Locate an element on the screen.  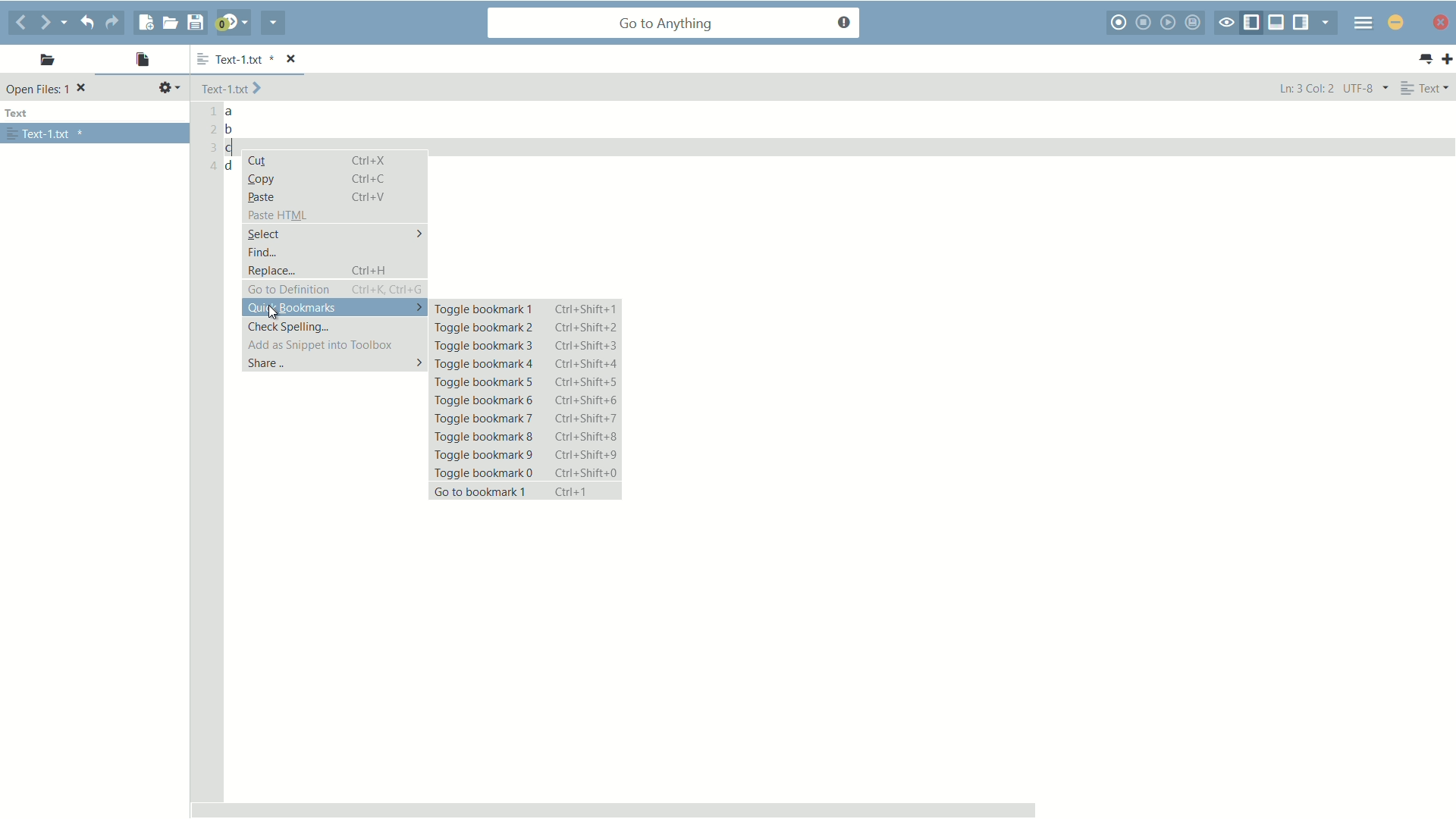
save macros to toolbox is located at coordinates (1194, 22).